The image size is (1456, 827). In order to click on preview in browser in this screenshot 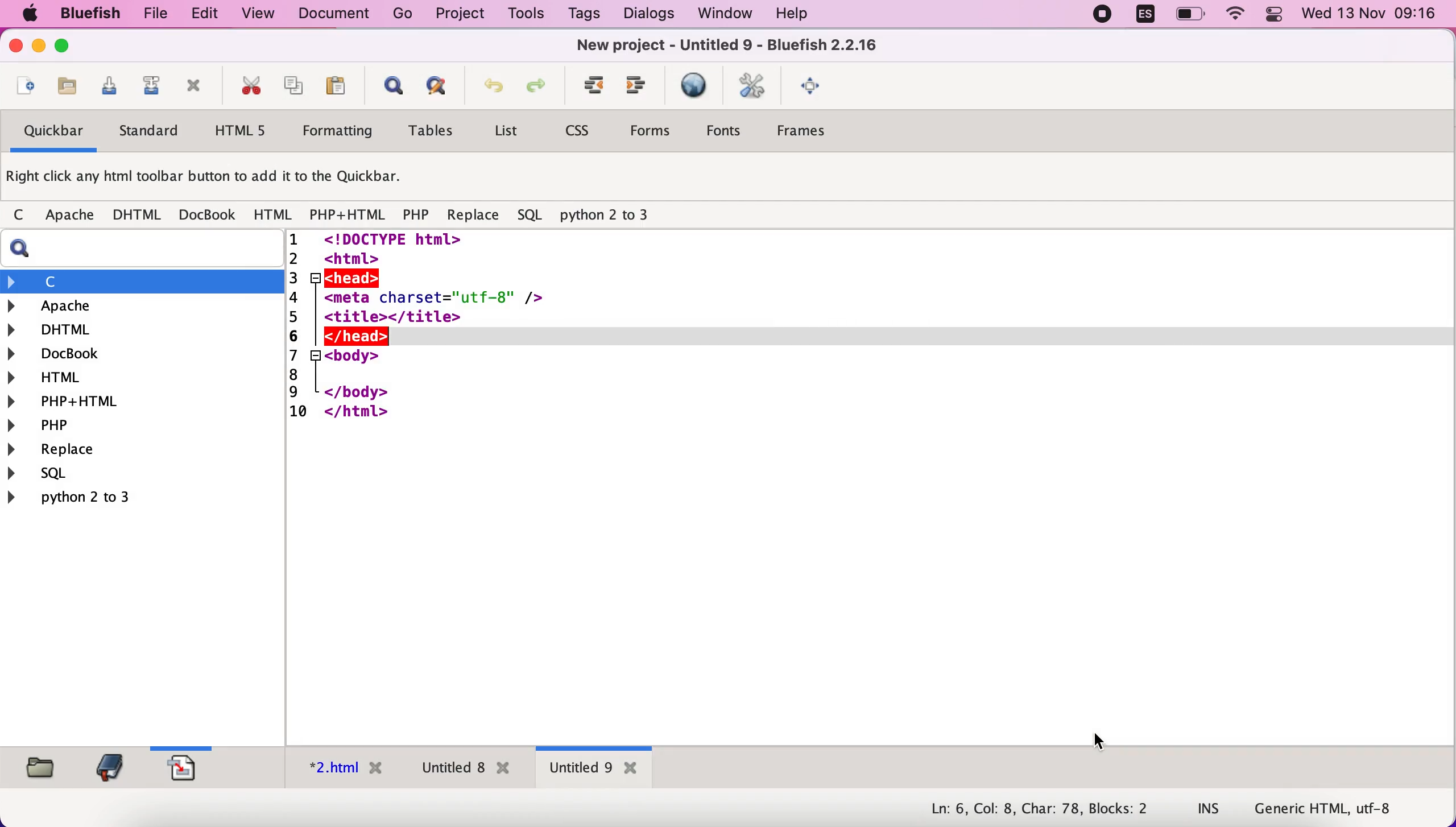, I will do `click(693, 86)`.